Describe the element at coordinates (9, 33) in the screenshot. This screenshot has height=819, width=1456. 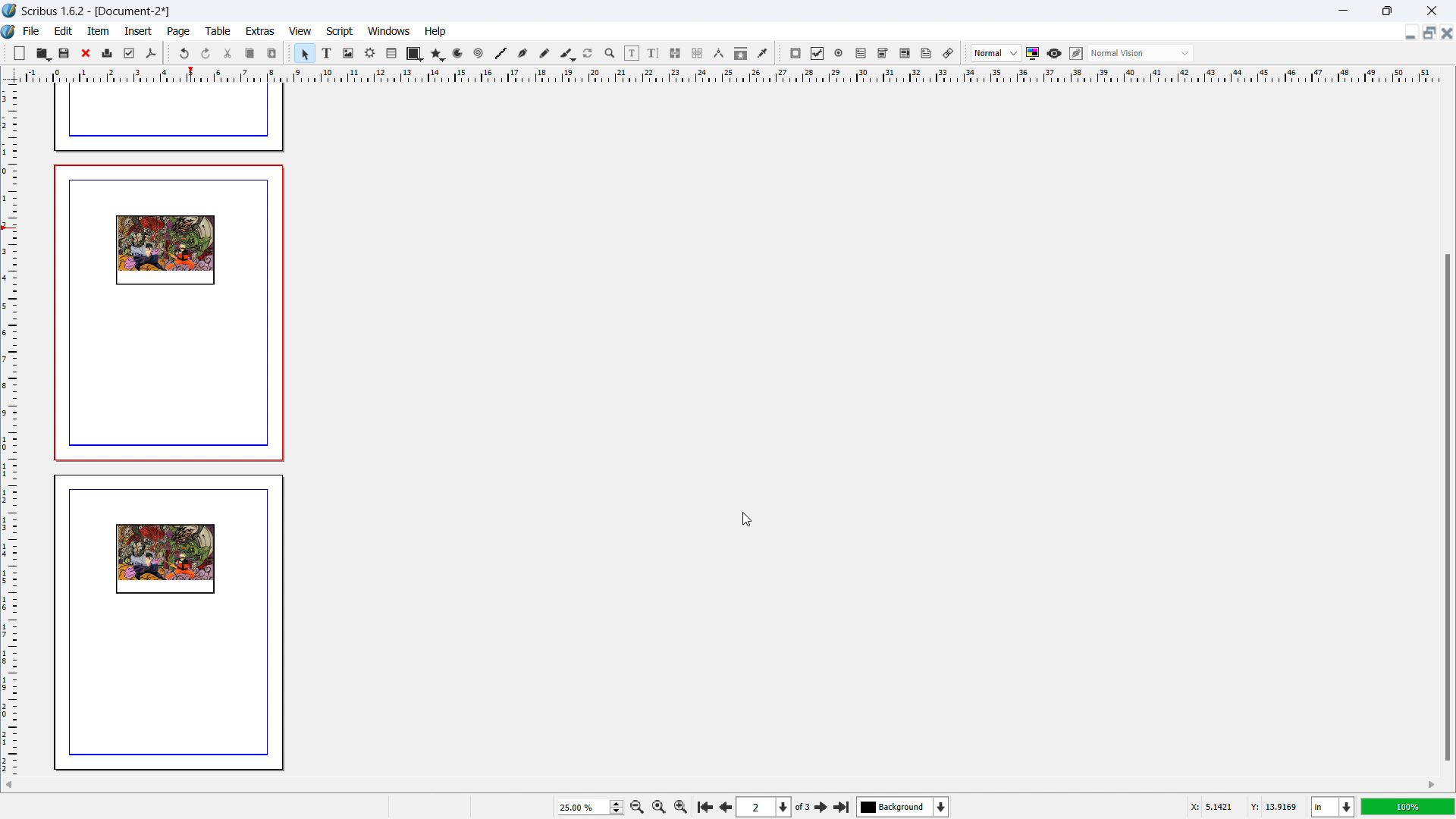
I see `logo` at that location.